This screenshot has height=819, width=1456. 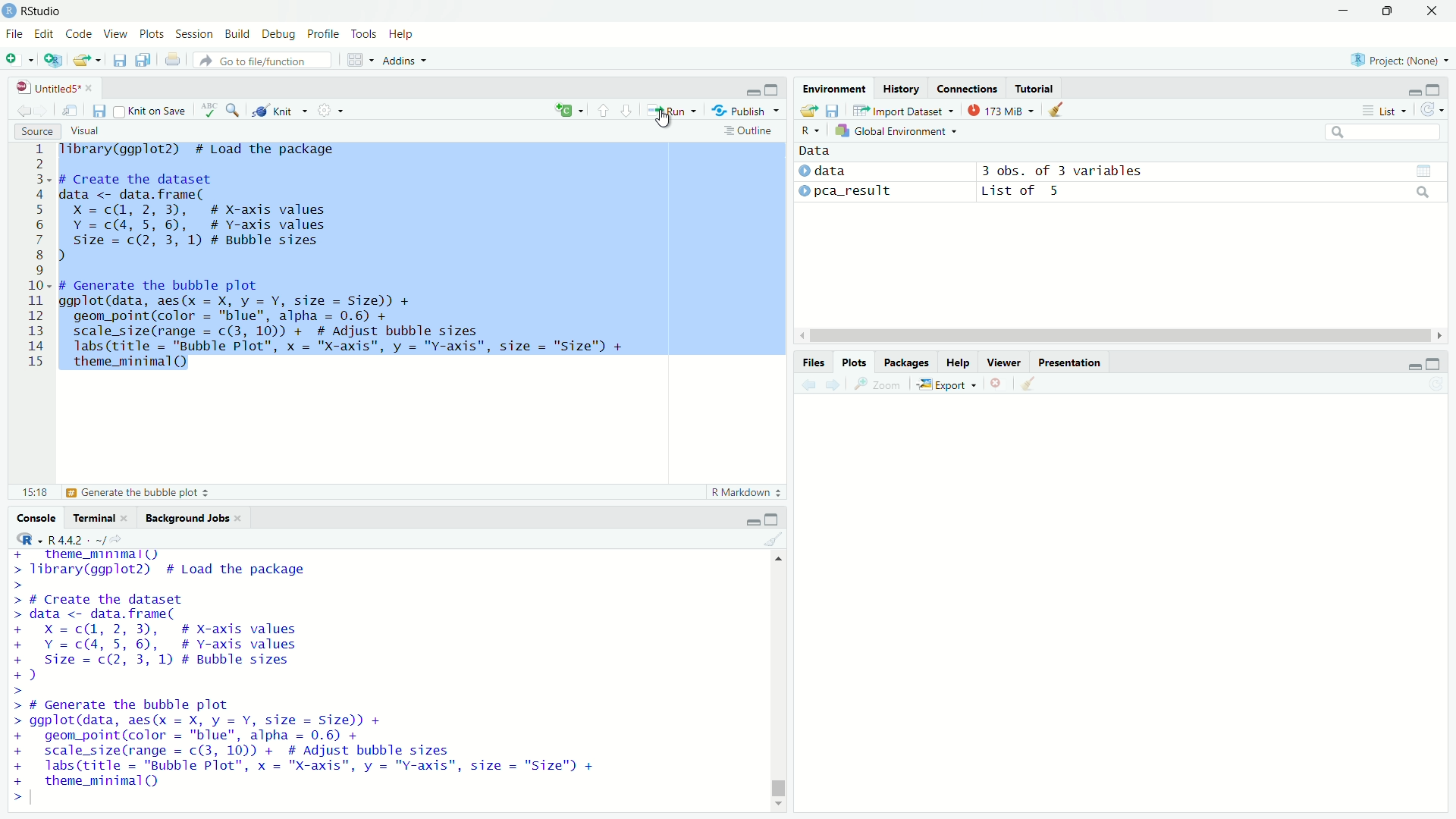 I want to click on environment, so click(x=836, y=89).